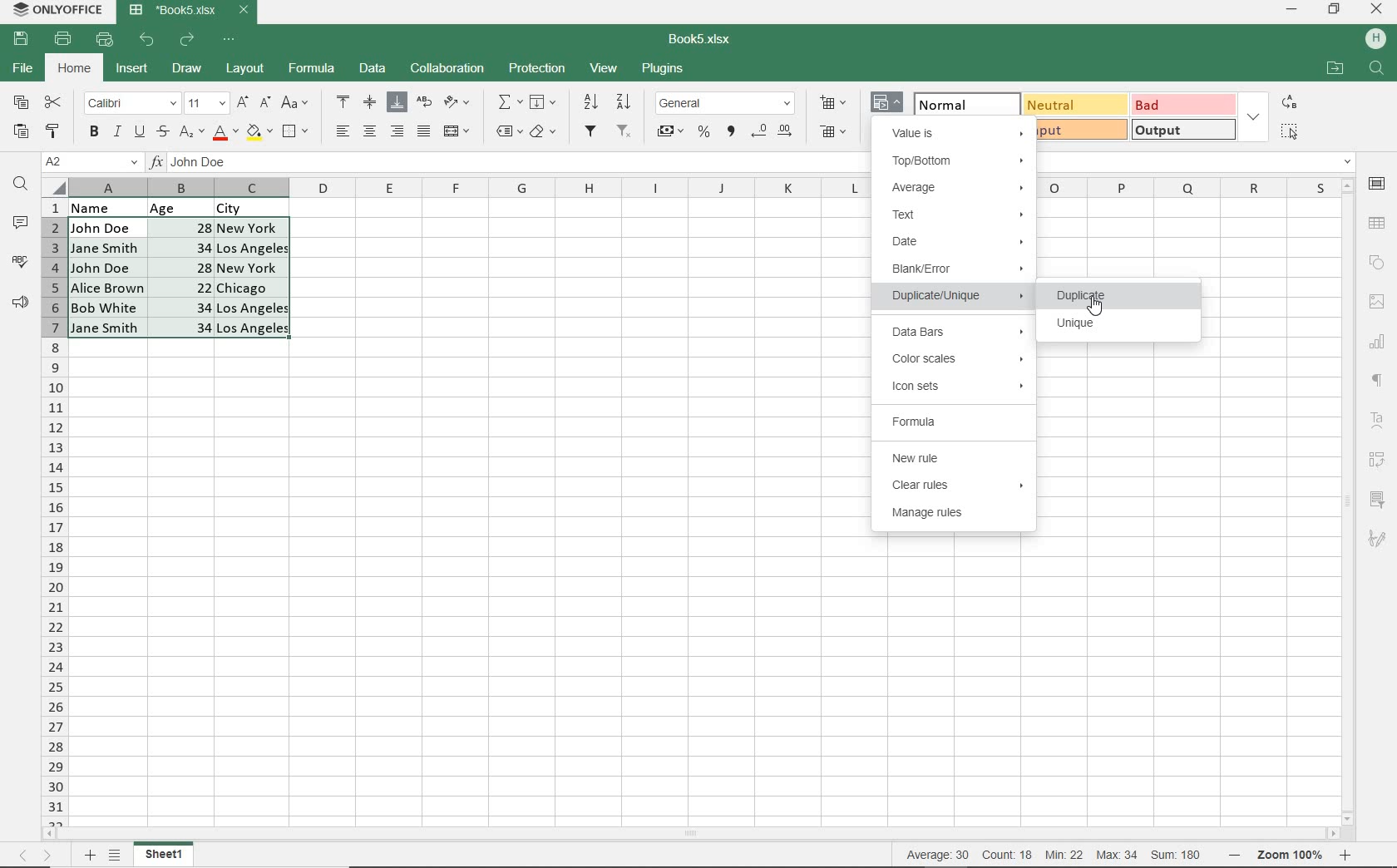 The width and height of the screenshot is (1397, 868). What do you see at coordinates (188, 68) in the screenshot?
I see `DRAW` at bounding box center [188, 68].